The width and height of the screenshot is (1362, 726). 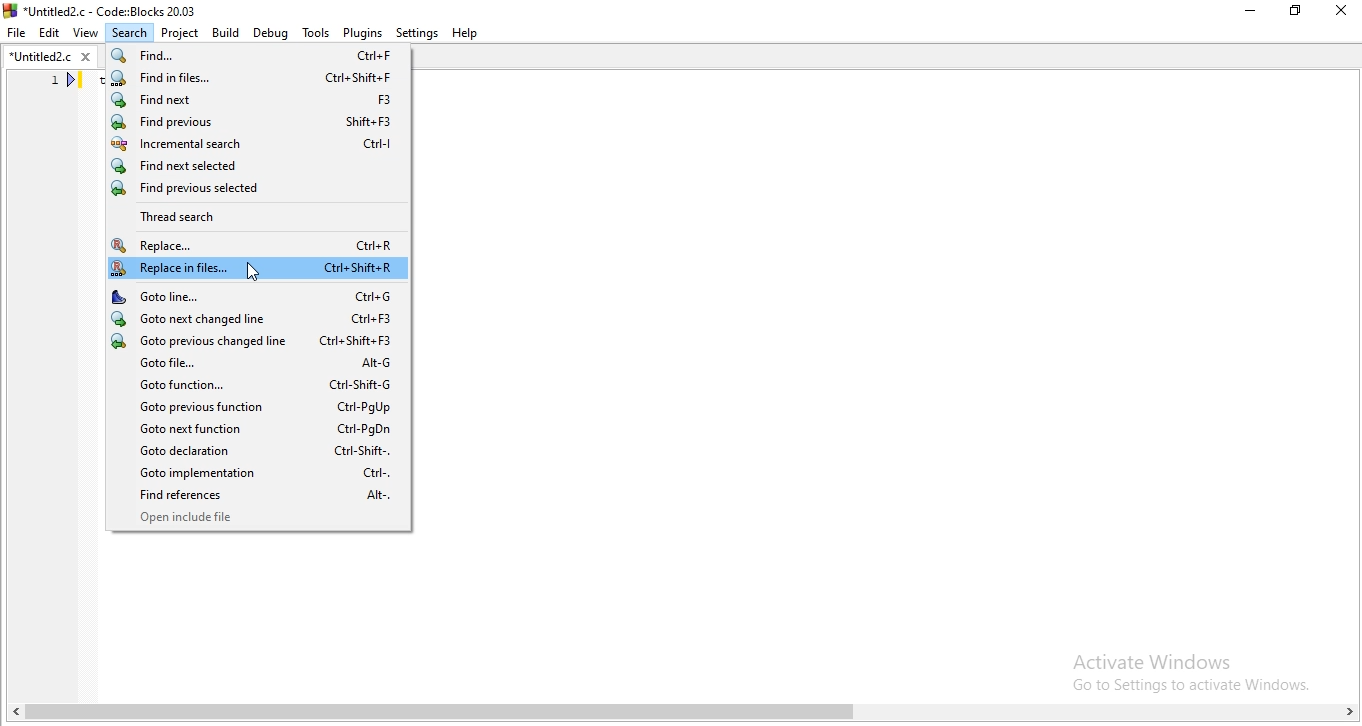 What do you see at coordinates (254, 299) in the screenshot?
I see `Goto line...` at bounding box center [254, 299].